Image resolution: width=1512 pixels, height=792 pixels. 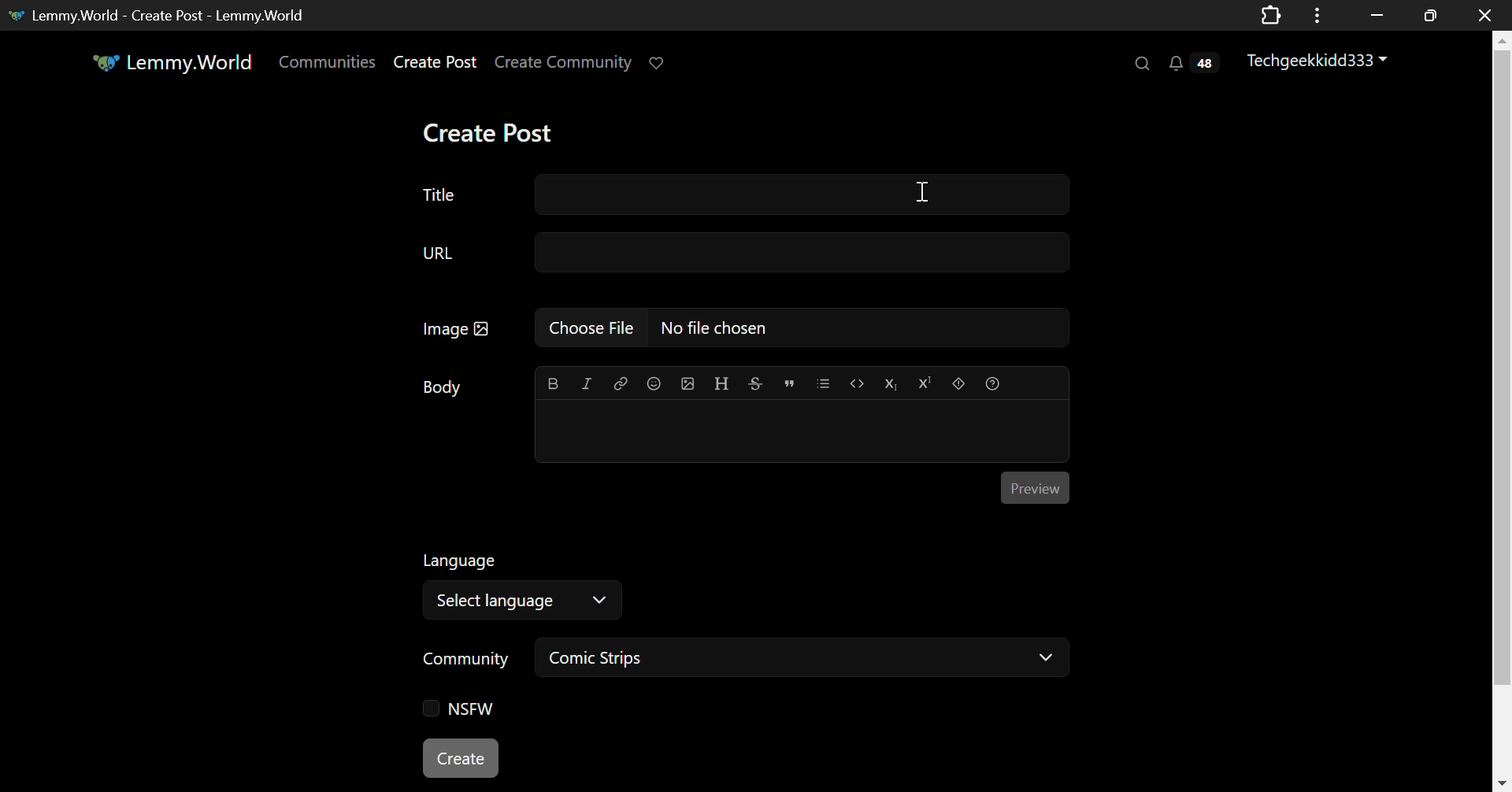 I want to click on Title, so click(x=743, y=193).